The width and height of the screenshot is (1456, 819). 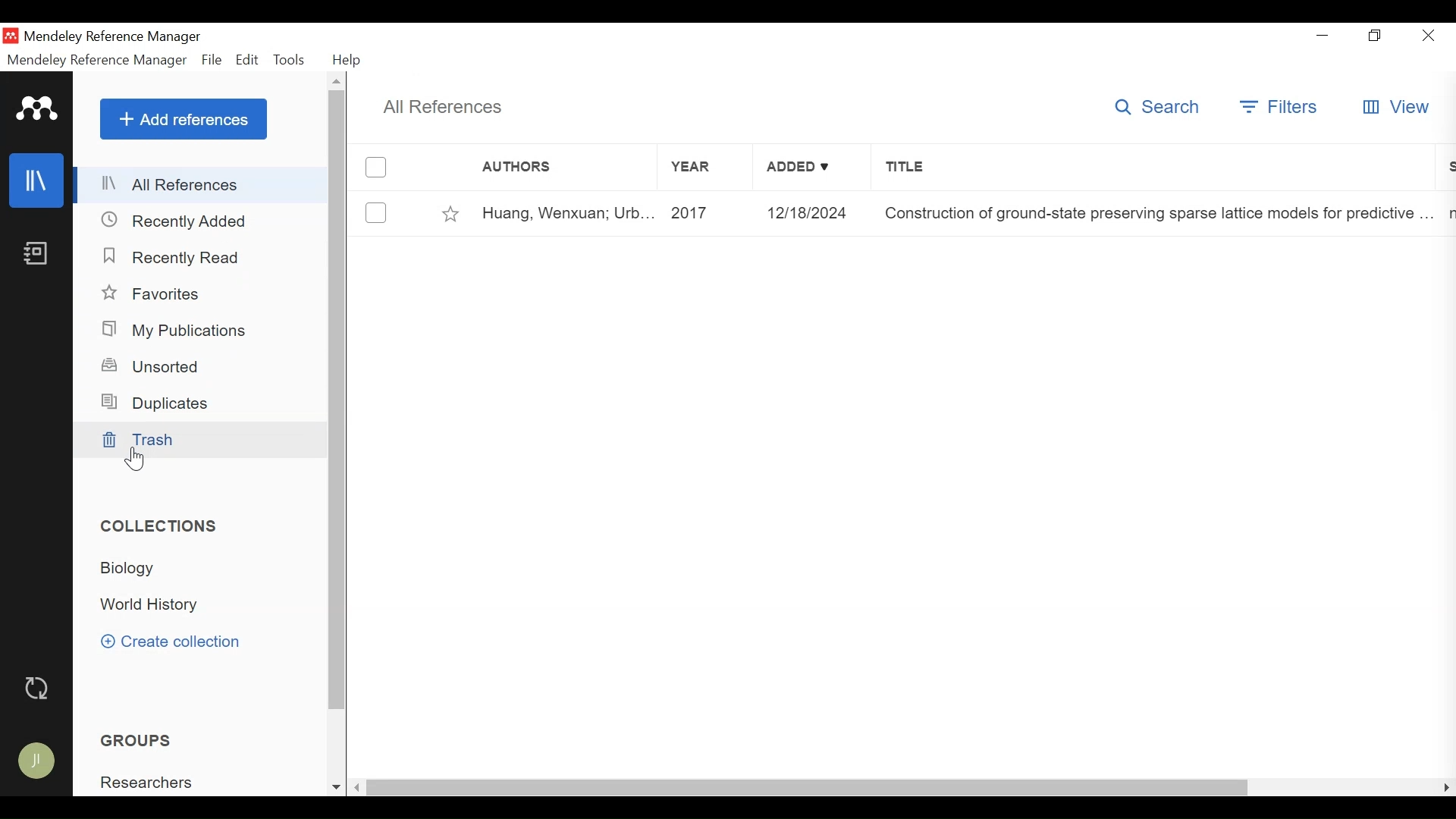 What do you see at coordinates (338, 401) in the screenshot?
I see `Vertical Scroll bar` at bounding box center [338, 401].